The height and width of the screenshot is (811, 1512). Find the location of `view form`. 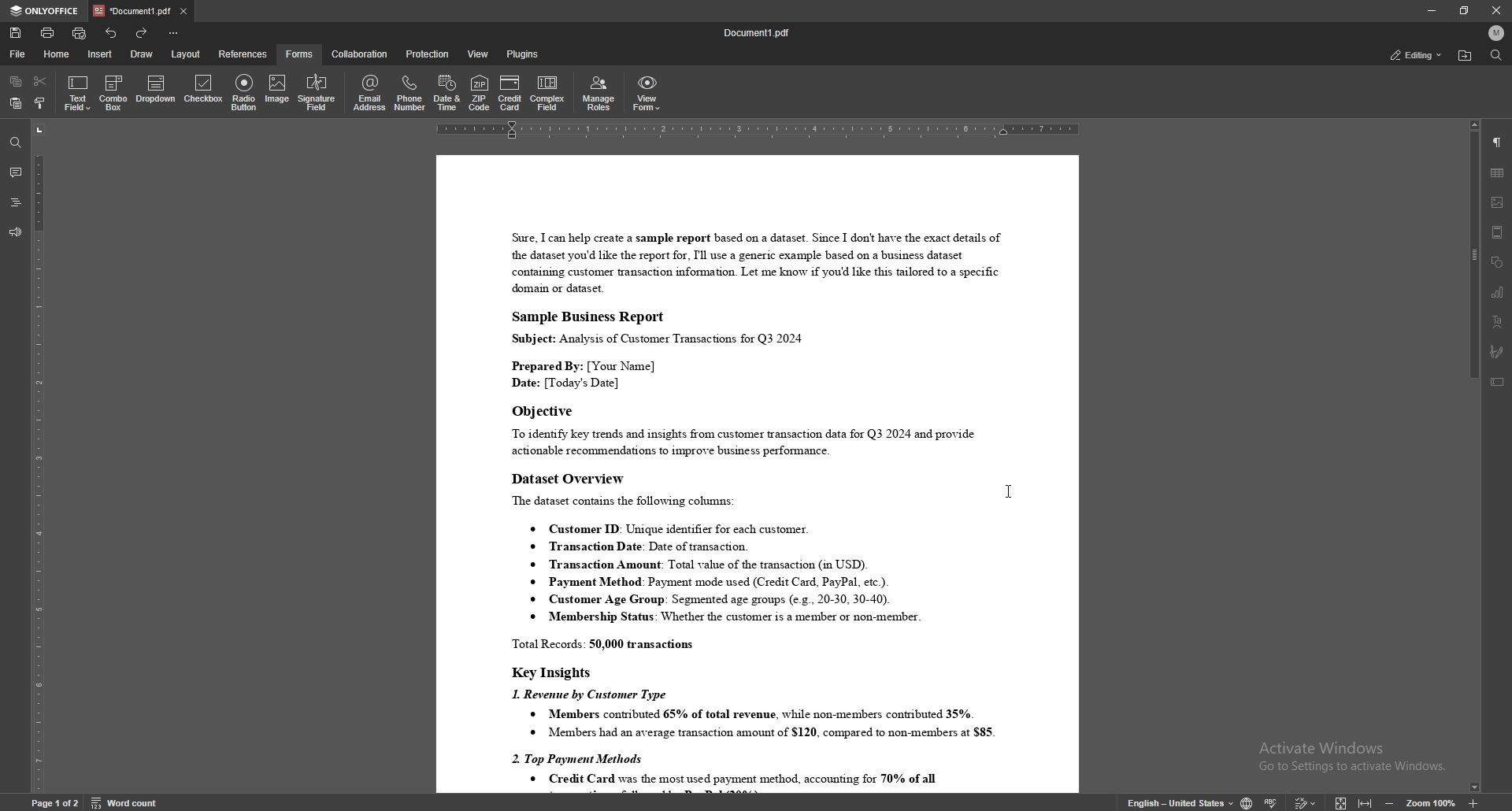

view form is located at coordinates (647, 93).